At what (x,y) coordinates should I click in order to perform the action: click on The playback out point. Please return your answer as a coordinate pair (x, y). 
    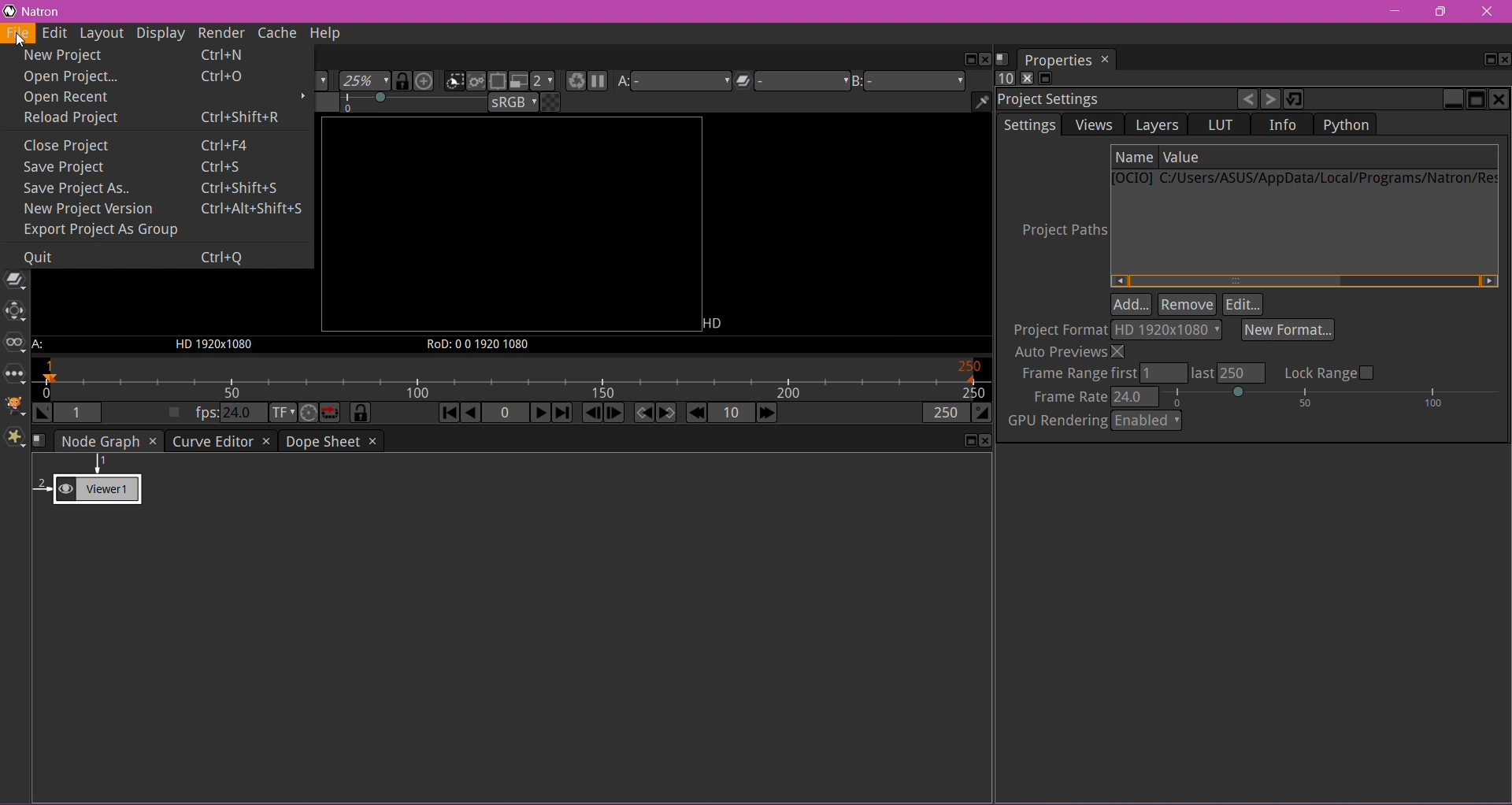
    Looking at the image, I should click on (945, 414).